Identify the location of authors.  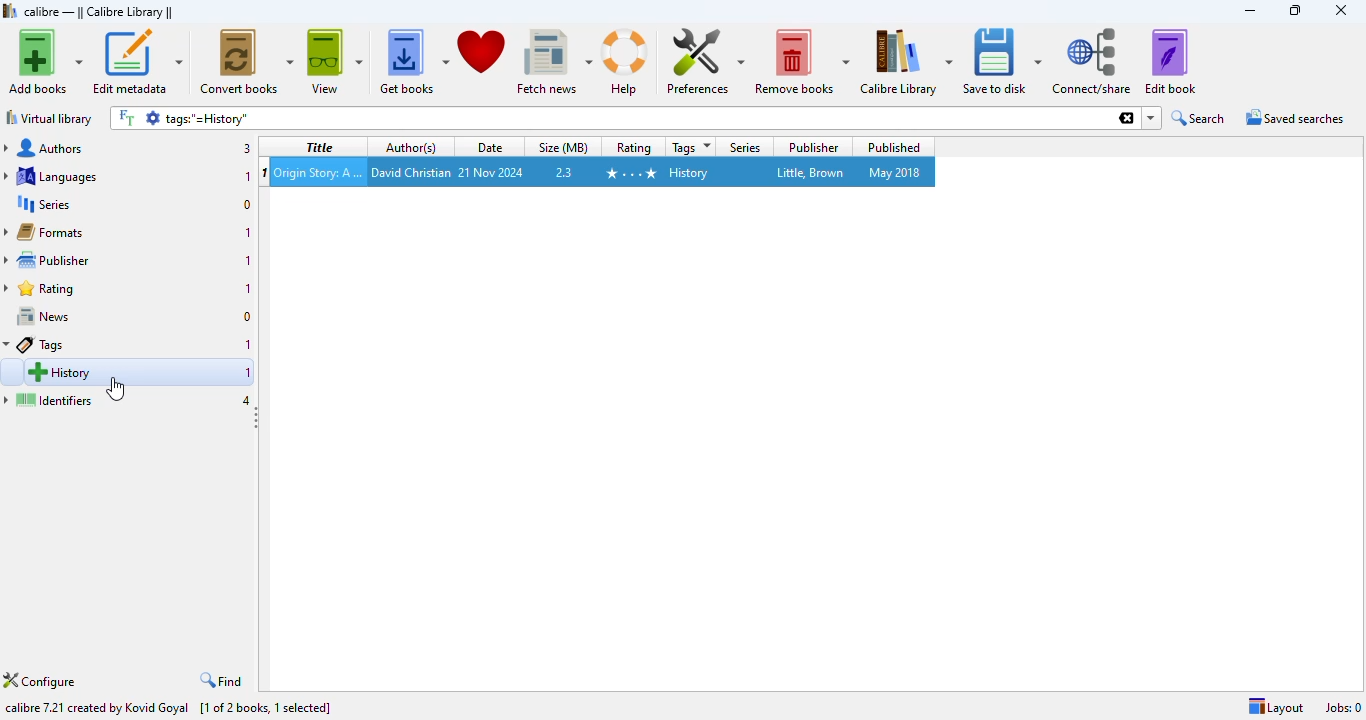
(46, 147).